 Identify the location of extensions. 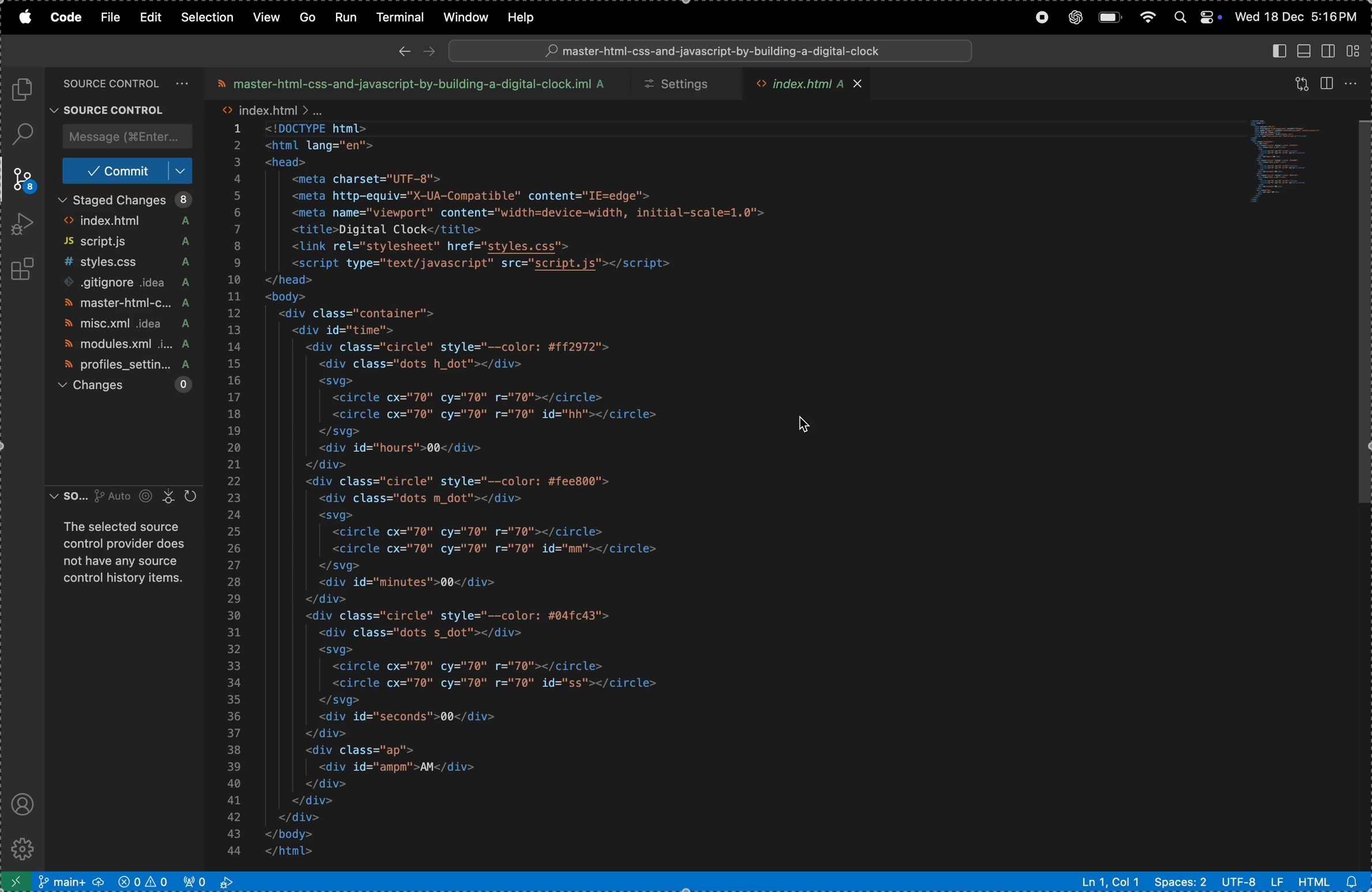
(27, 266).